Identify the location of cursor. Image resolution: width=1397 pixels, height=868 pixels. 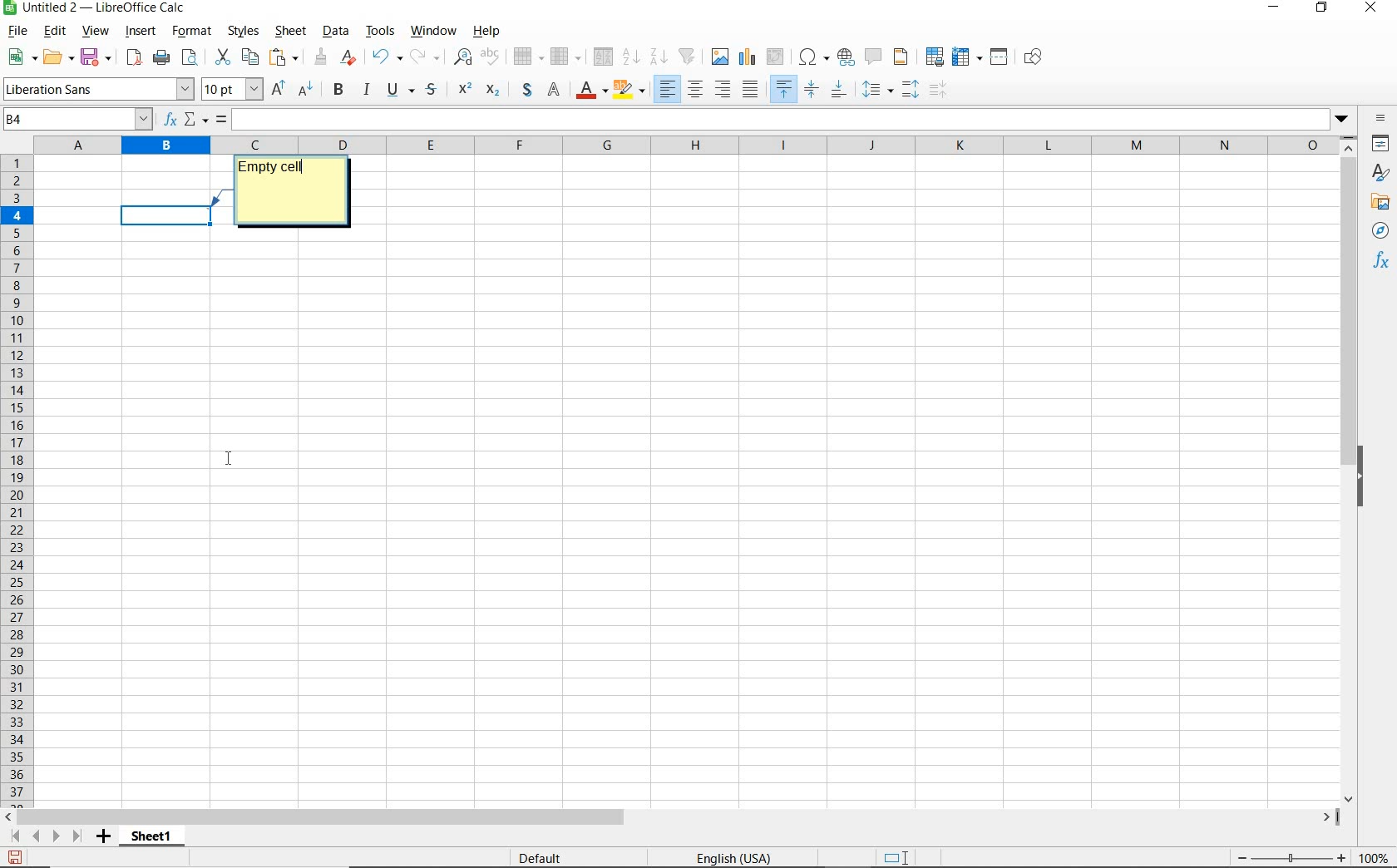
(310, 167).